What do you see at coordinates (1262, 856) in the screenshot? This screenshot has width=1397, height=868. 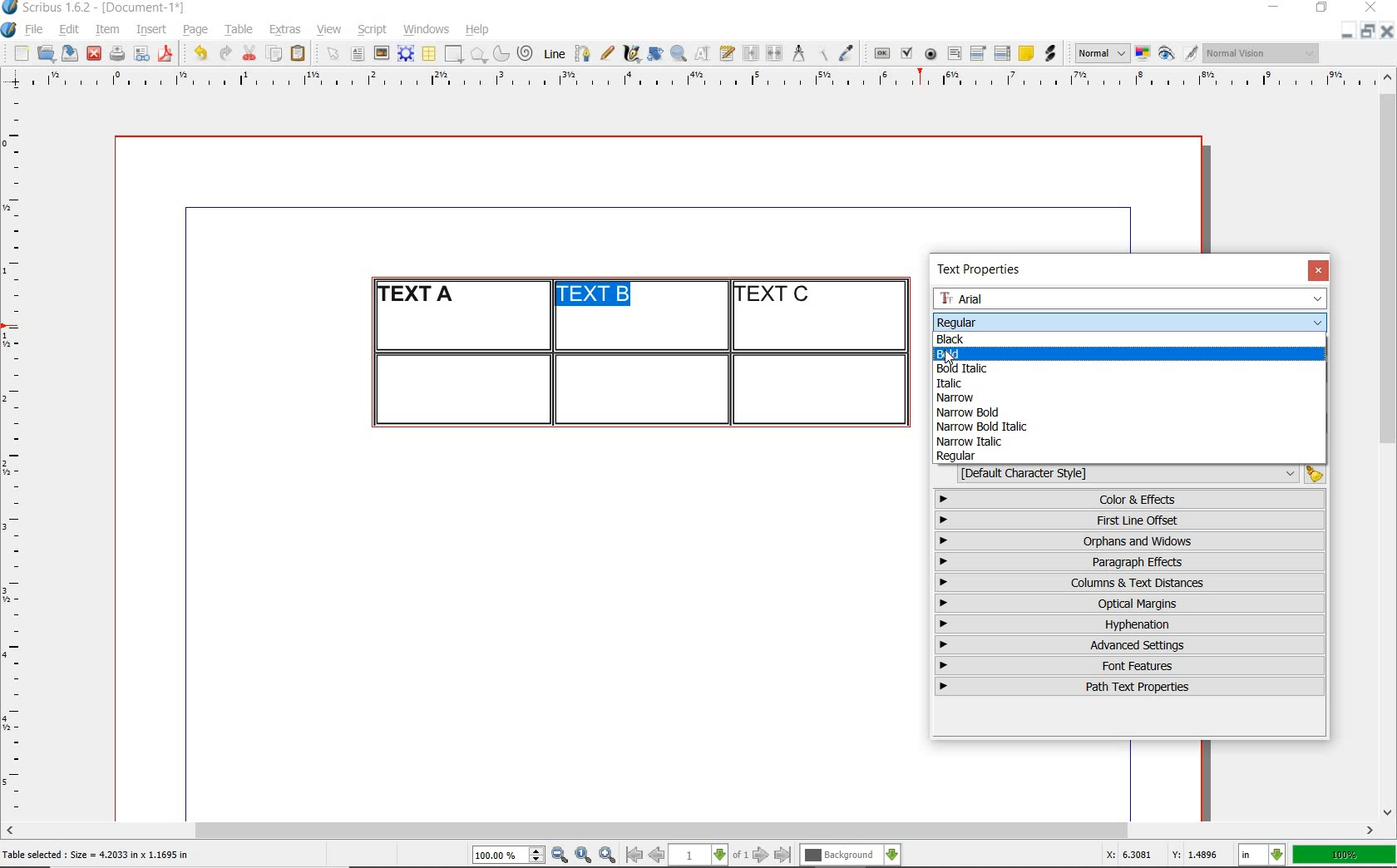 I see `select the current unit` at bounding box center [1262, 856].